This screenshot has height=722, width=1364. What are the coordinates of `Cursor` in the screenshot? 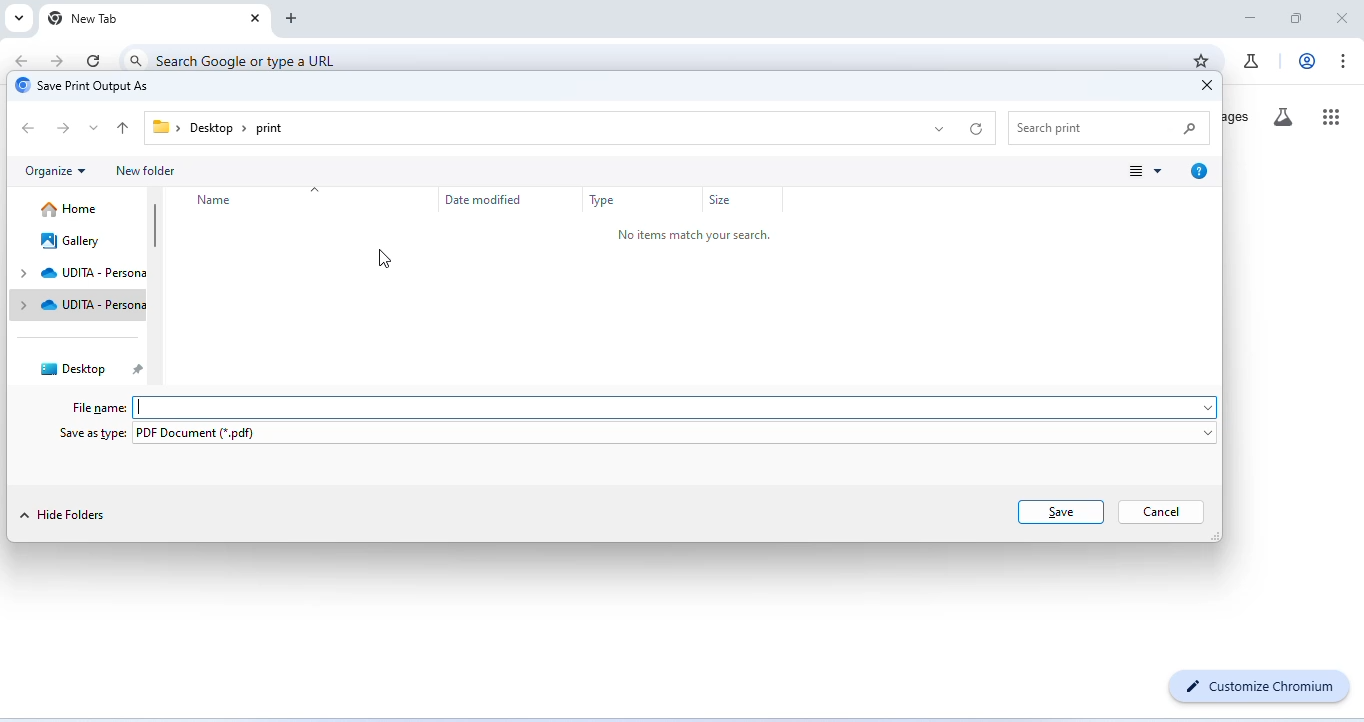 It's located at (384, 258).